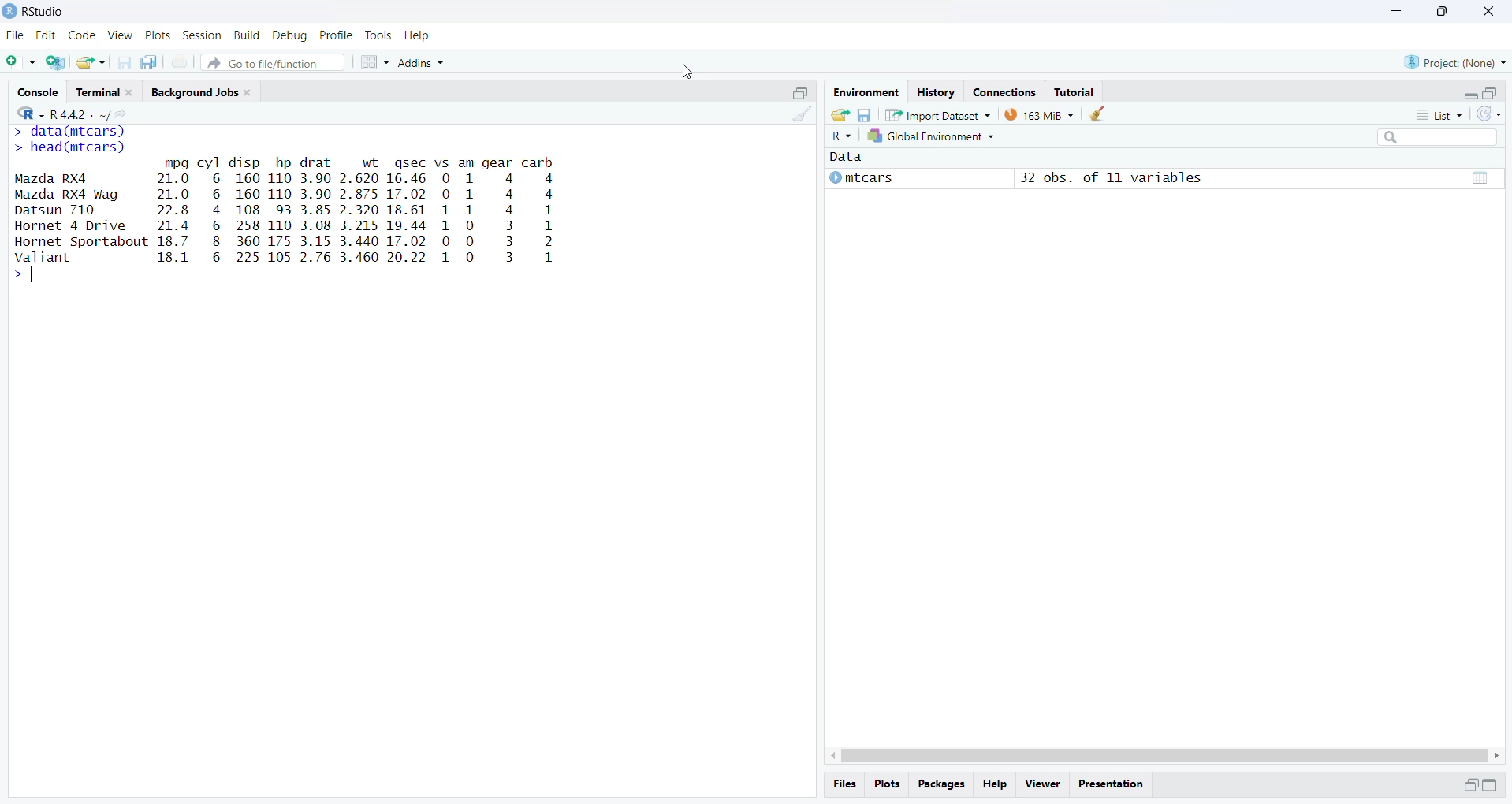 The image size is (1512, 804). Describe the element at coordinates (159, 35) in the screenshot. I see `plots` at that location.